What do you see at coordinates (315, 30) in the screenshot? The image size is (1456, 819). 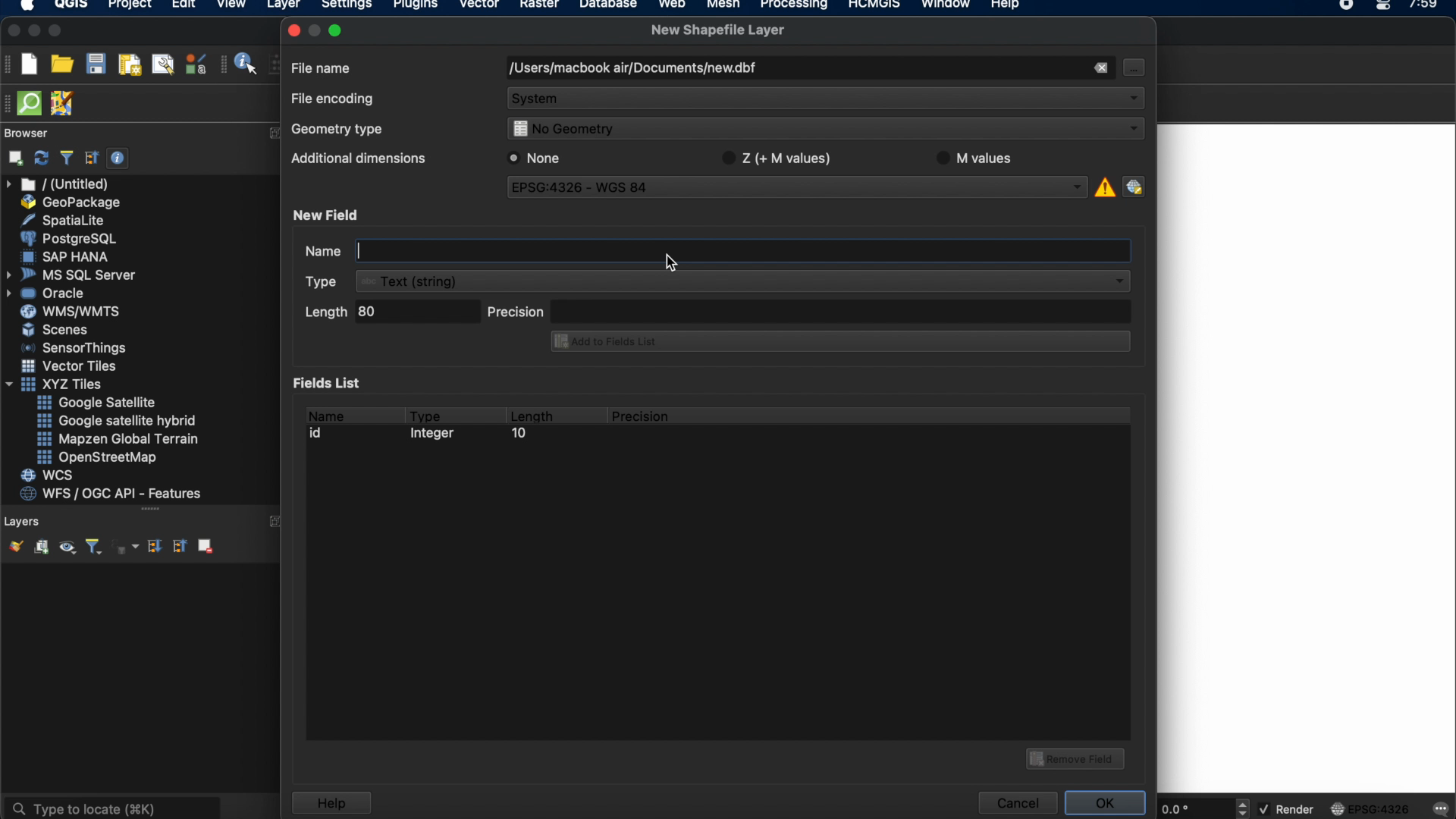 I see `inactive minimize icon` at bounding box center [315, 30].